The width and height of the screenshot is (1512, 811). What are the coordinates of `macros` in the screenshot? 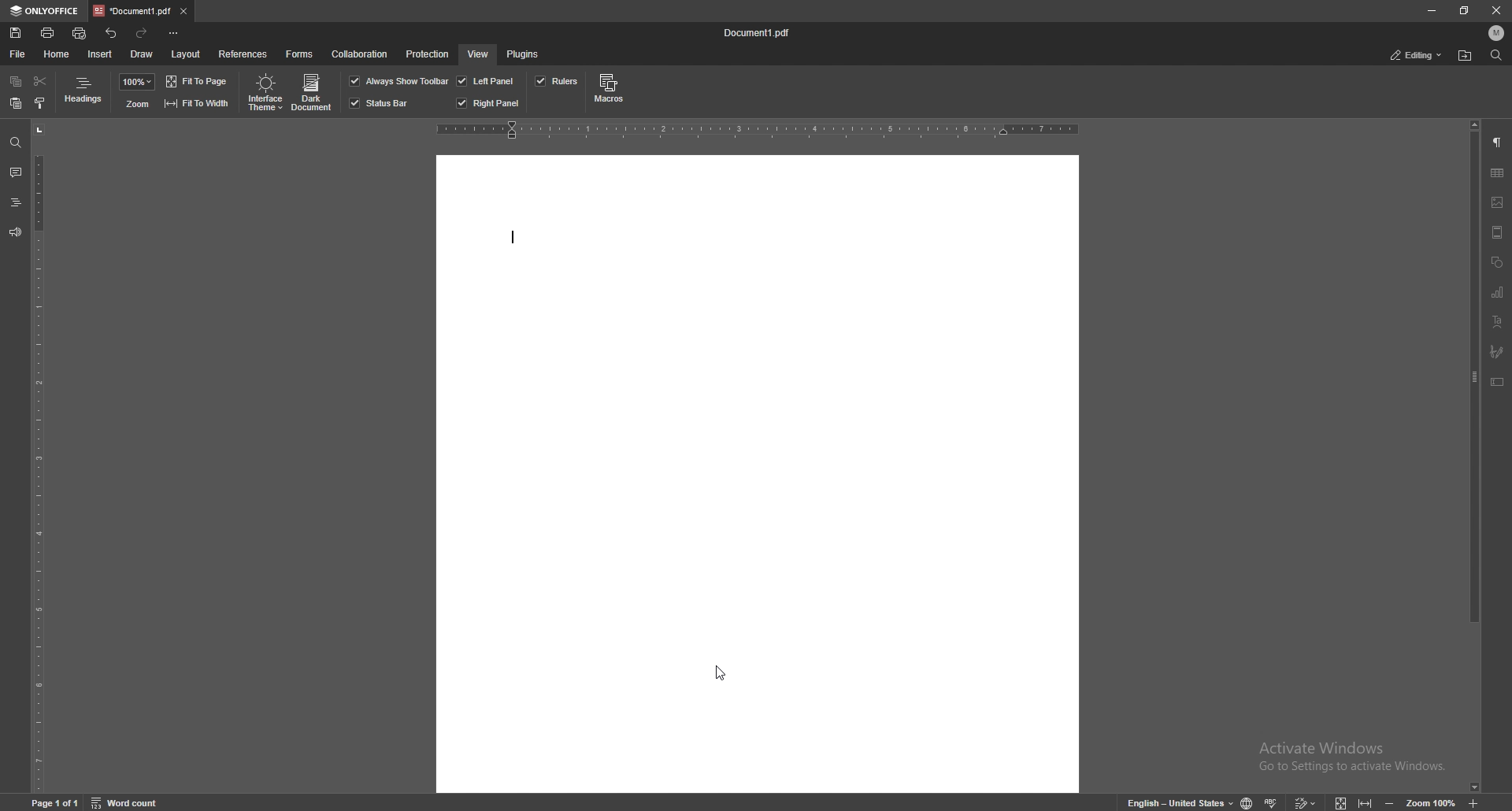 It's located at (609, 91).